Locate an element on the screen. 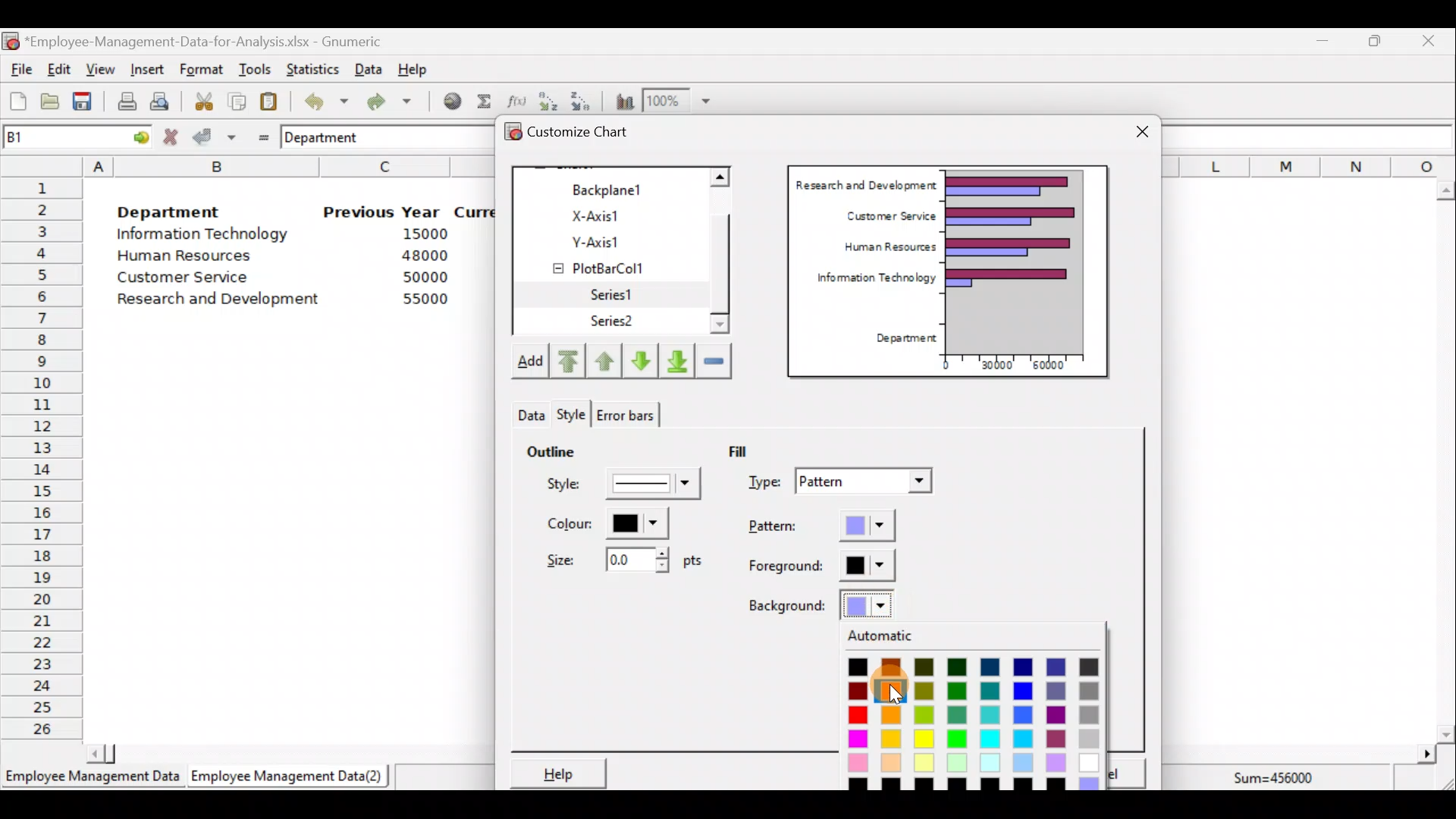 The height and width of the screenshot is (819, 1456). Minimize is located at coordinates (1319, 44).